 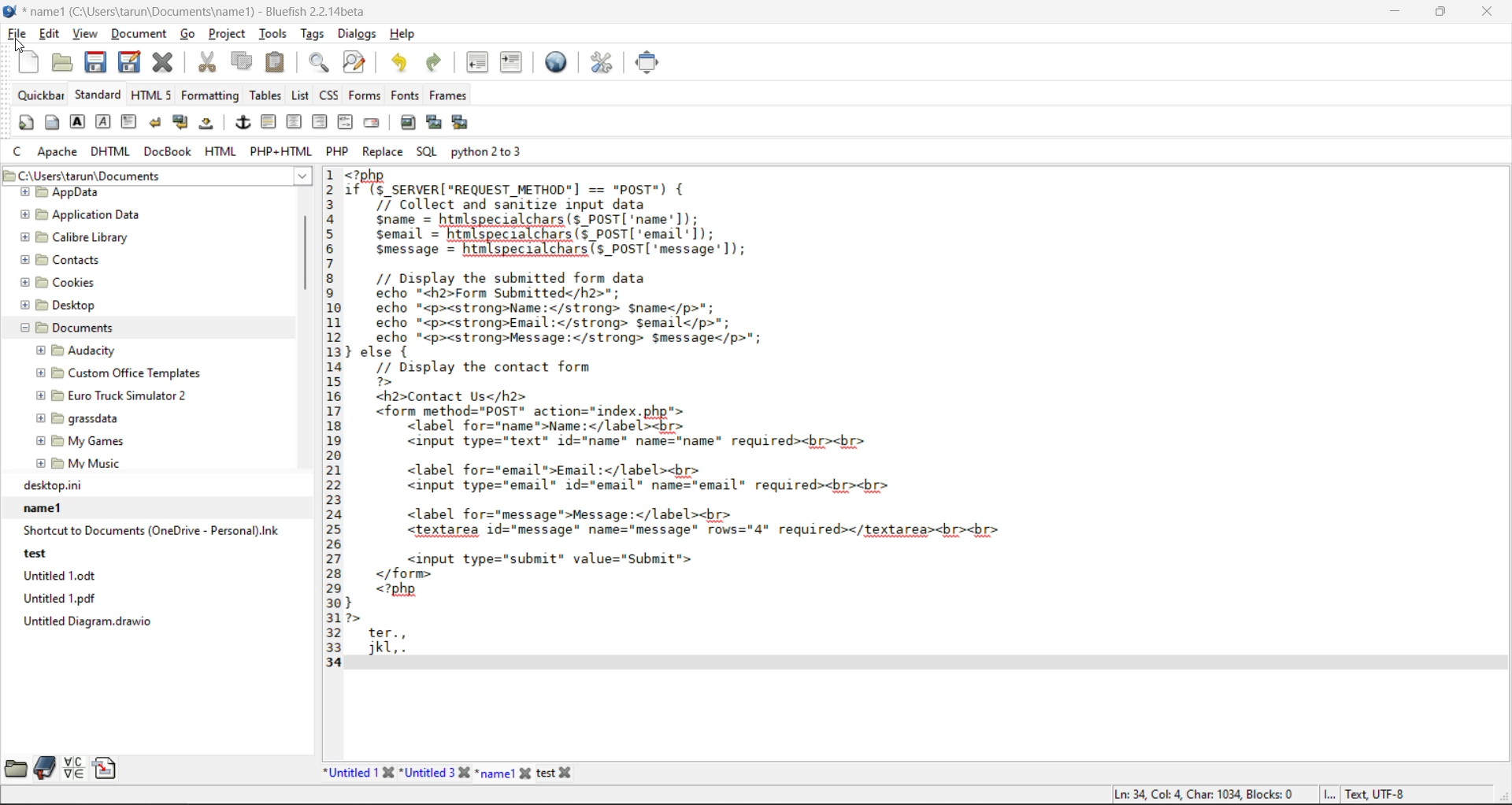 I want to click on dhtml, so click(x=111, y=152).